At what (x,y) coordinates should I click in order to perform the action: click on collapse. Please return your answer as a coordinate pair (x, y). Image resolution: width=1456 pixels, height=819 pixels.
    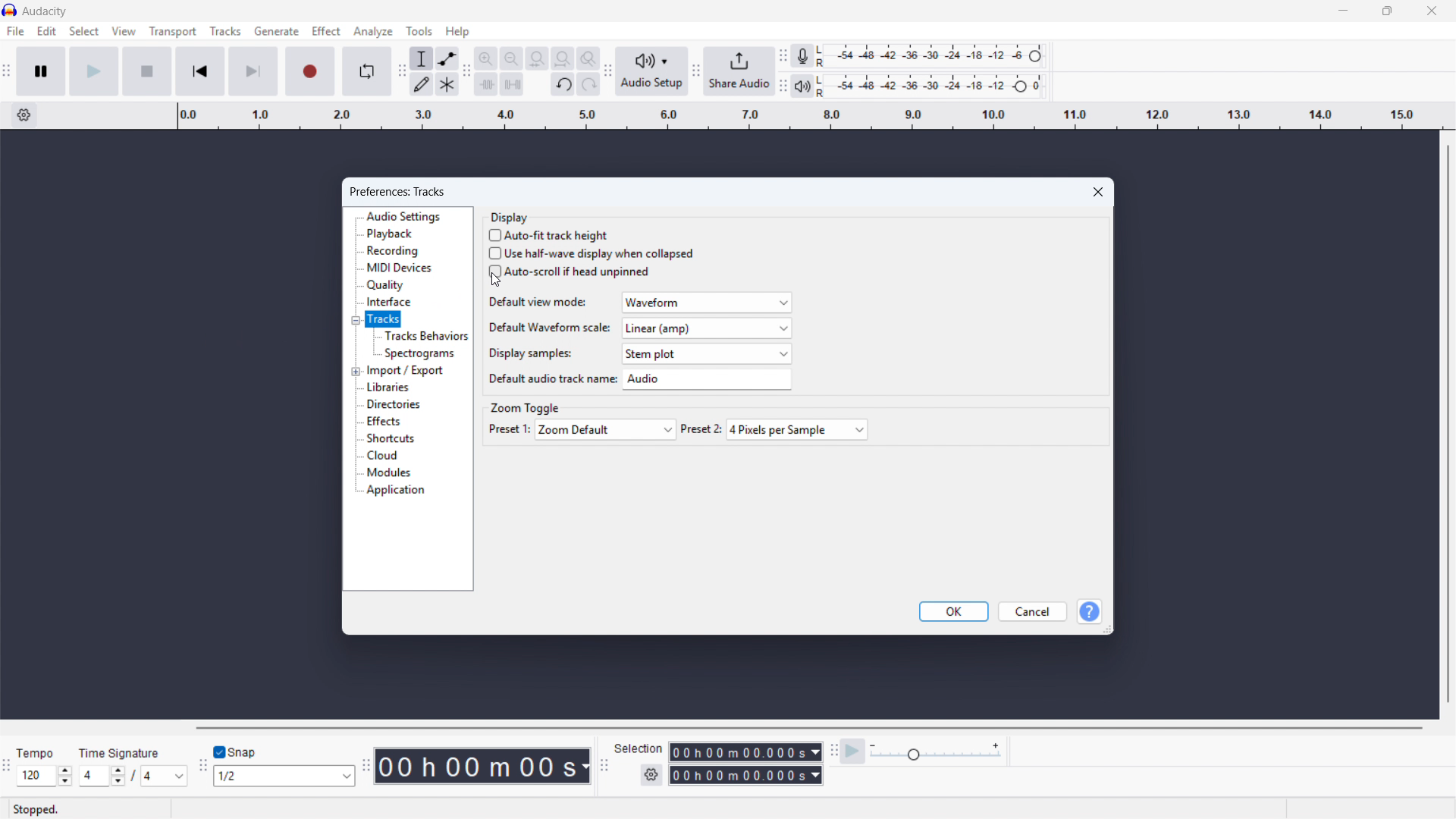
    Looking at the image, I should click on (355, 321).